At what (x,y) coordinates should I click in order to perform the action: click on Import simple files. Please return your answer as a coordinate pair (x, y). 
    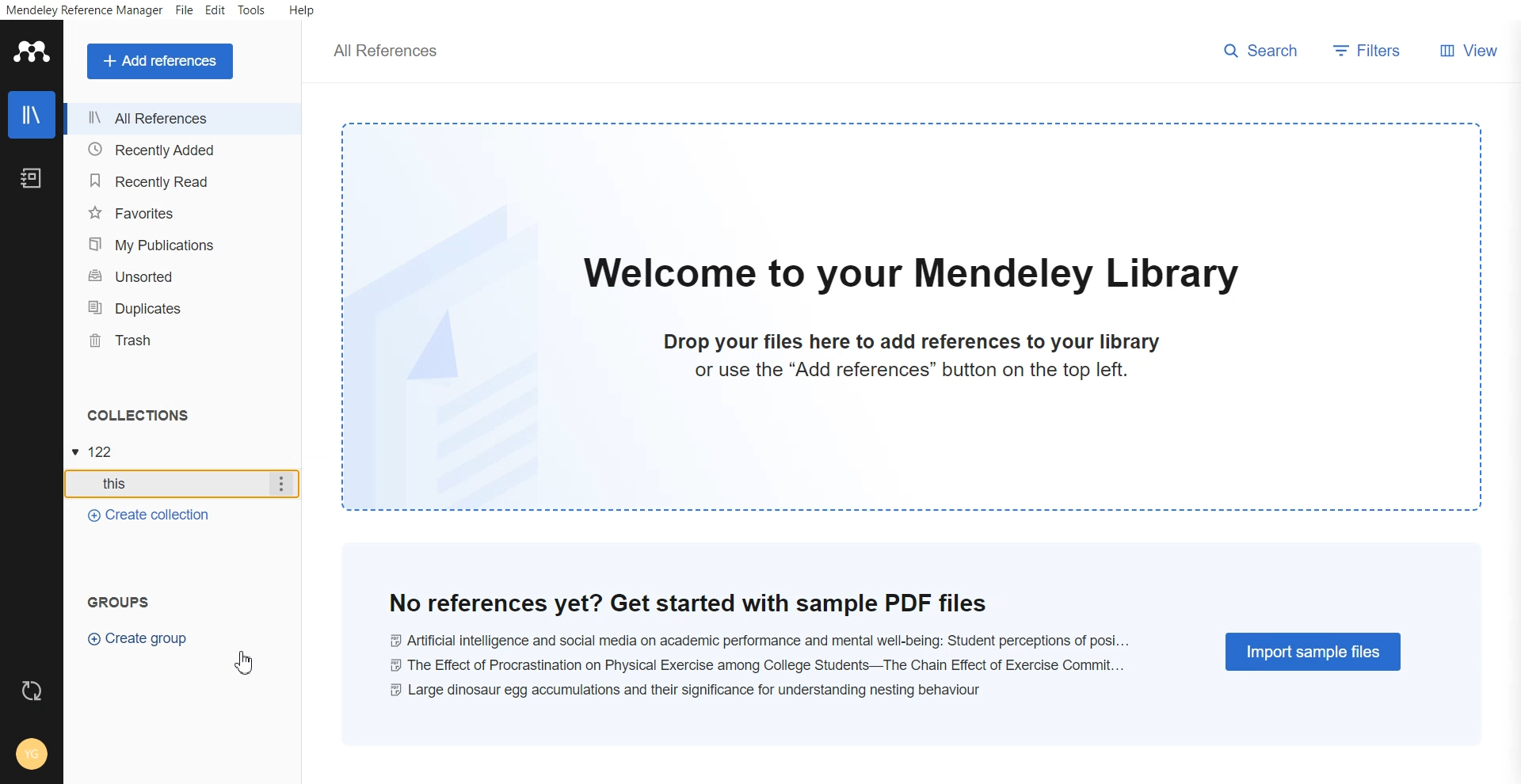
    Looking at the image, I should click on (1315, 650).